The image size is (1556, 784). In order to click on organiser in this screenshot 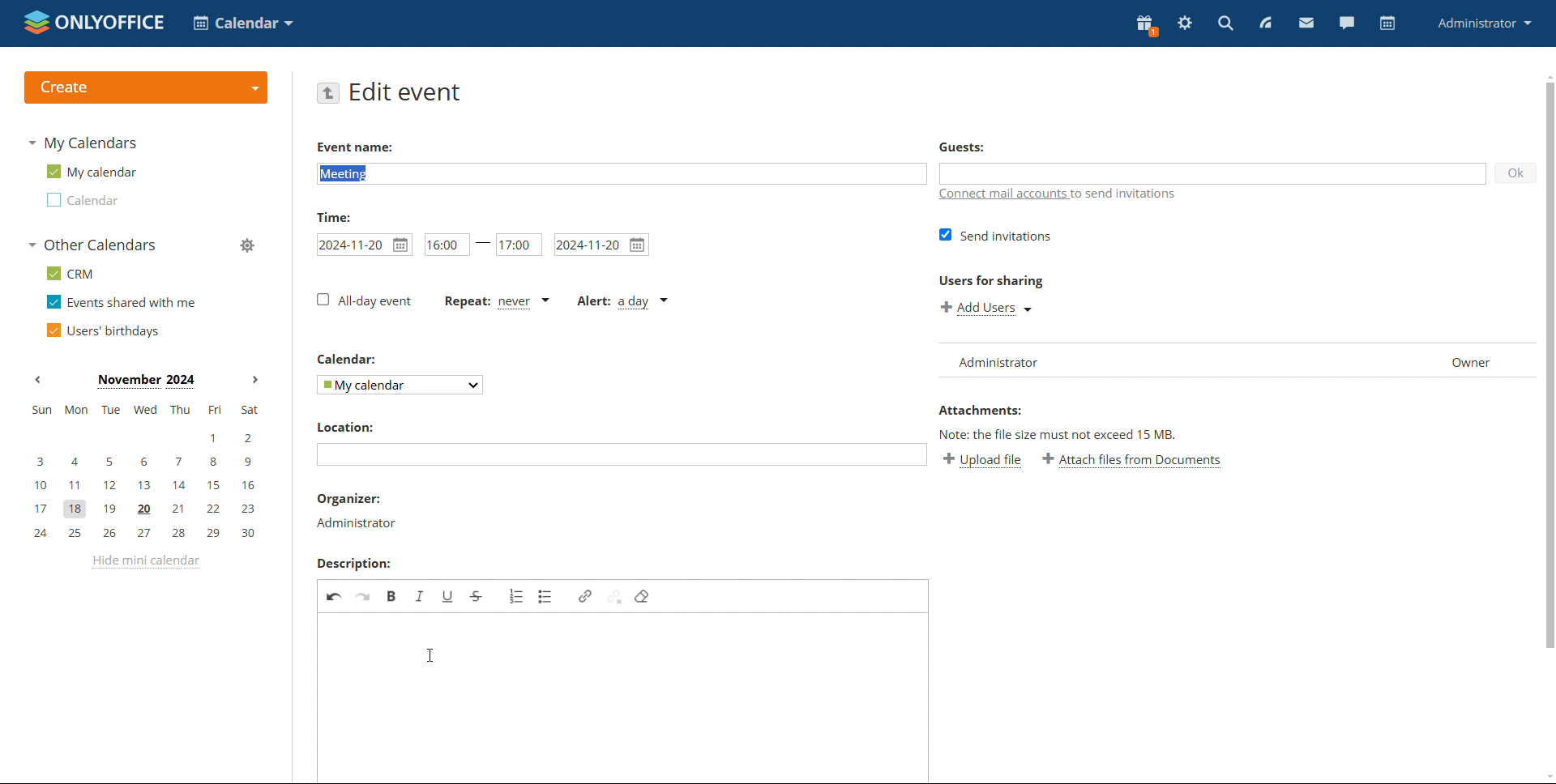, I will do `click(347, 499)`.